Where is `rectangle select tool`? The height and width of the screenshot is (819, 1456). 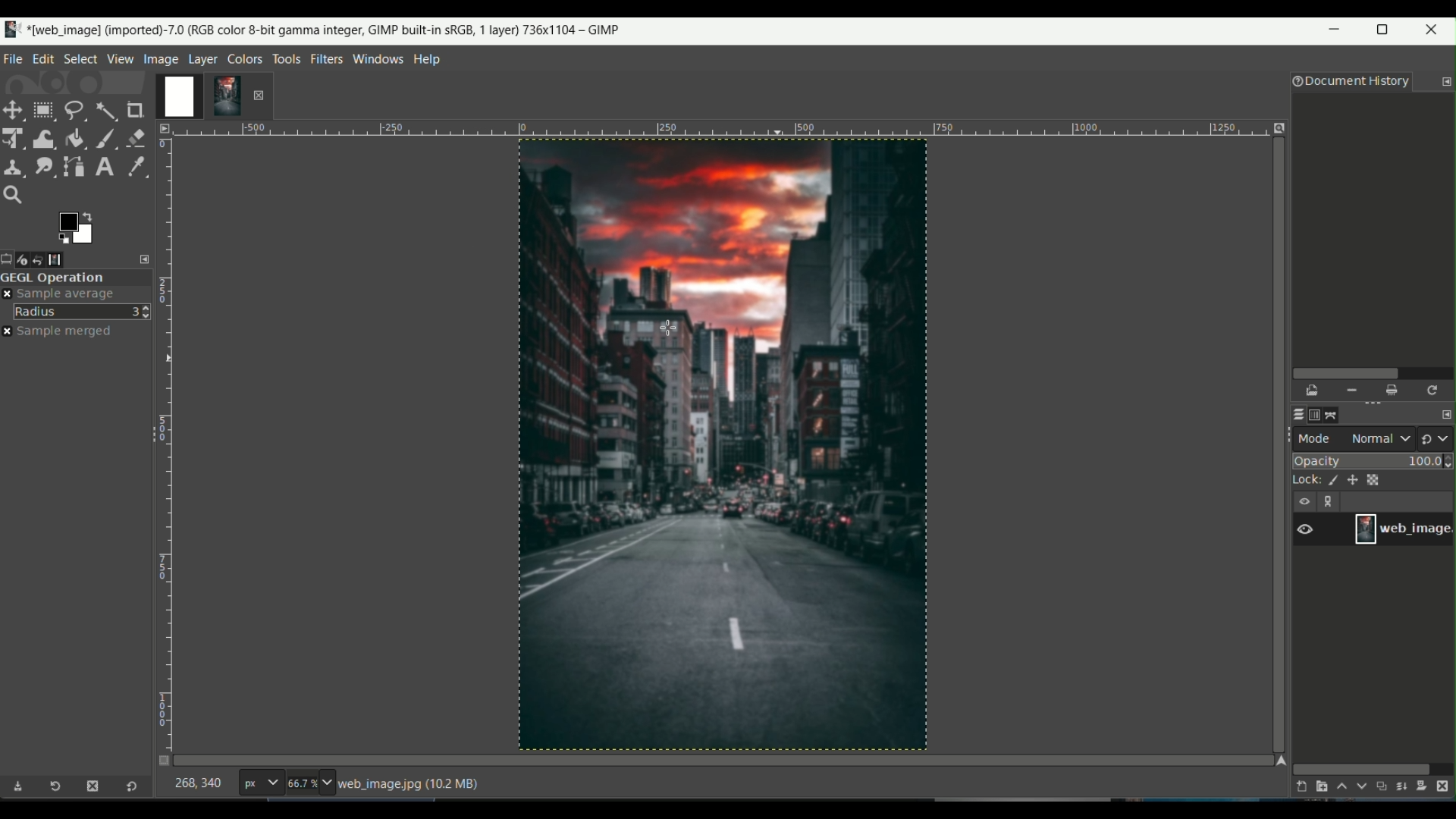 rectangle select tool is located at coordinates (42, 110).